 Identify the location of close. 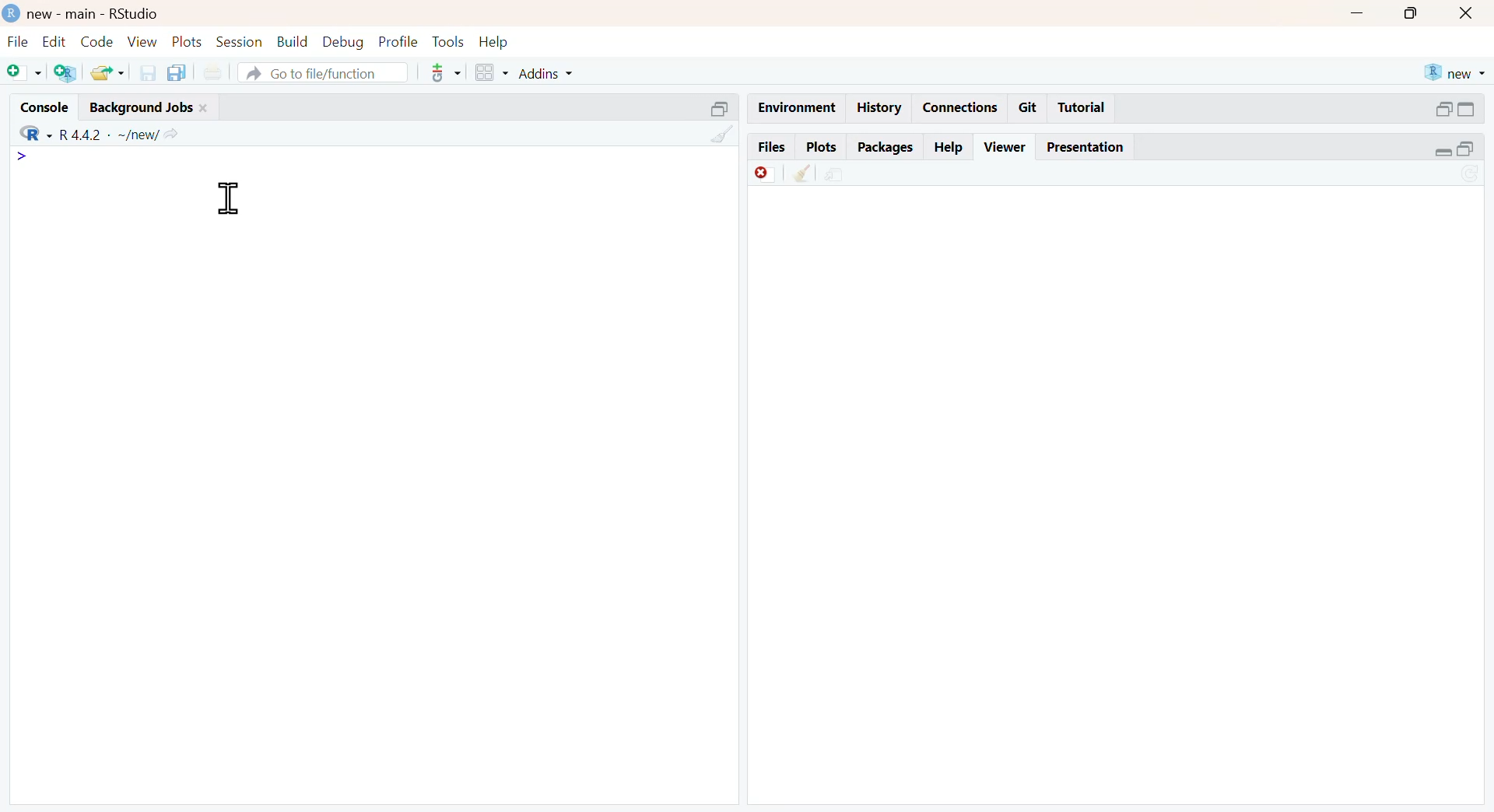
(1468, 12).